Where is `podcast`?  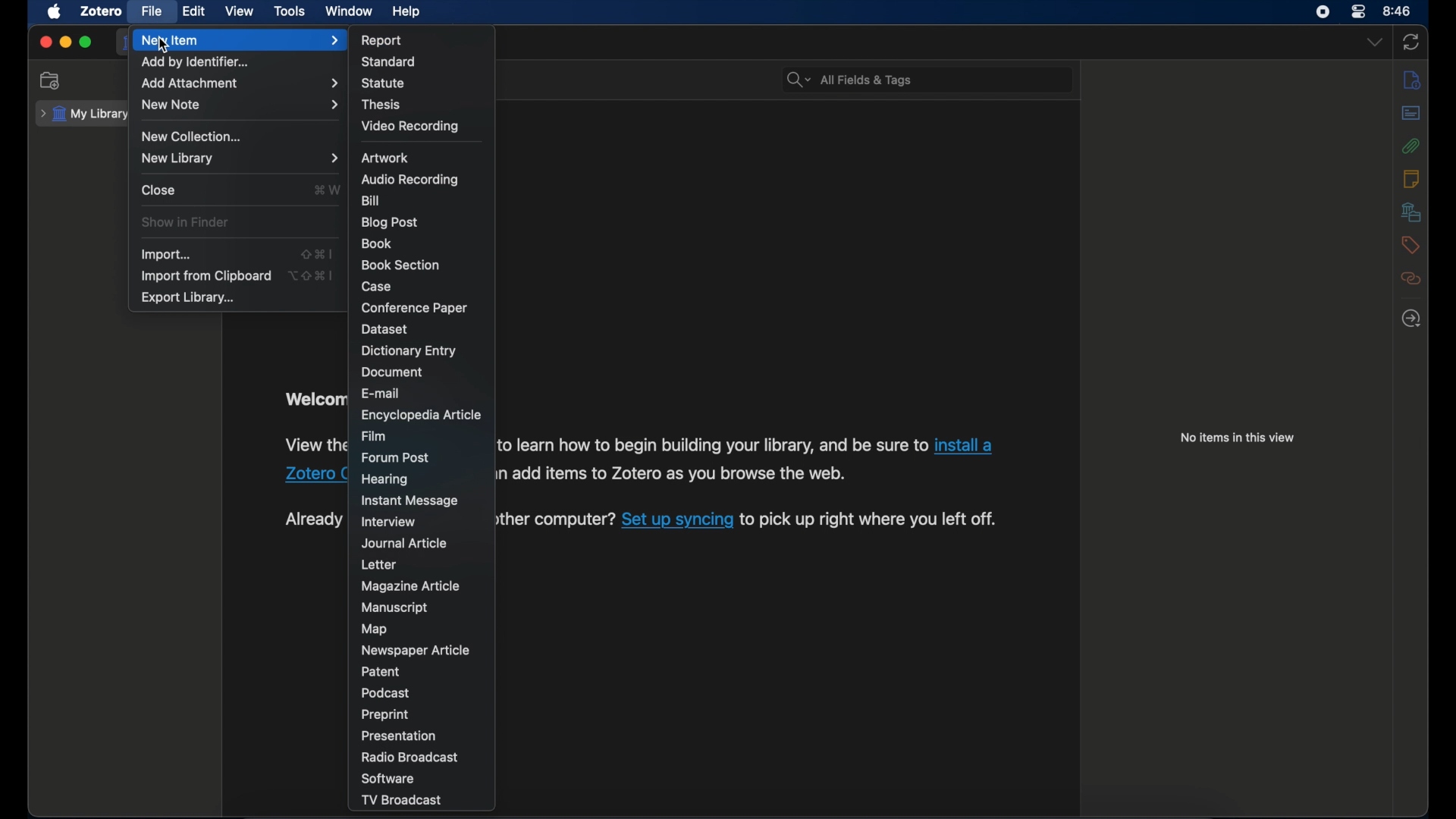 podcast is located at coordinates (385, 693).